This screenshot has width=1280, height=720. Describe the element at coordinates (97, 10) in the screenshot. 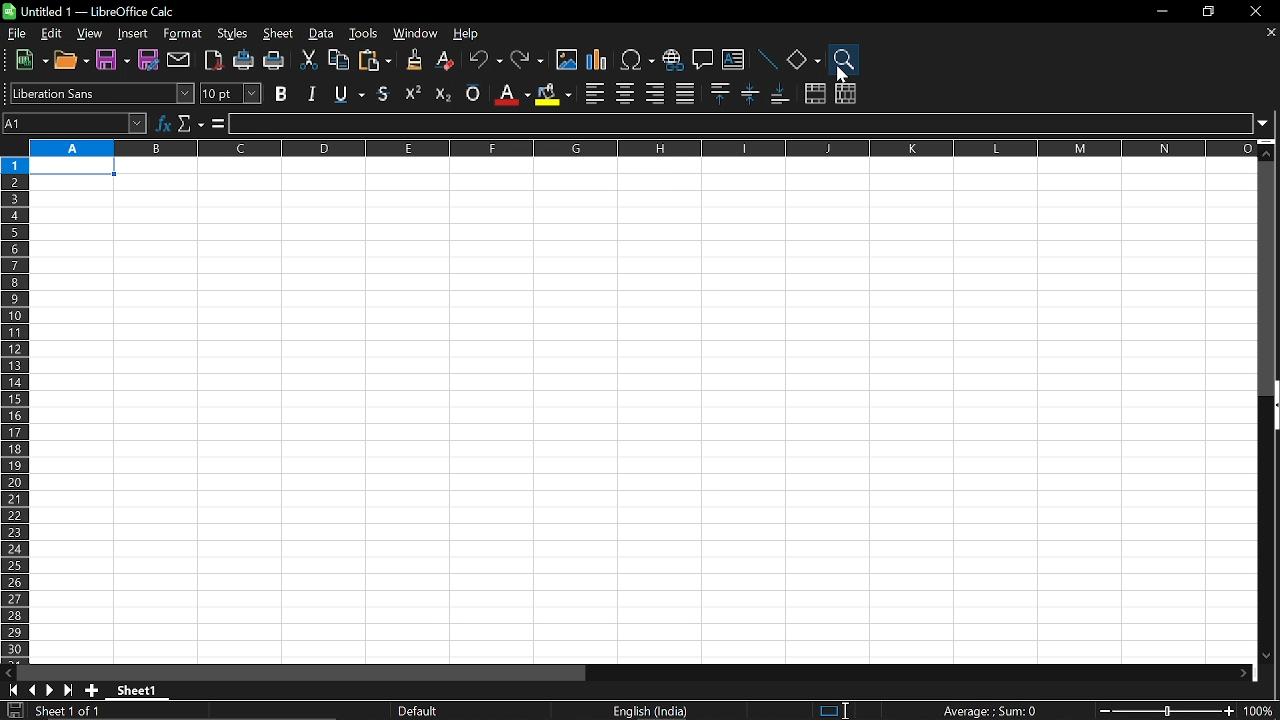

I see `Current window` at that location.